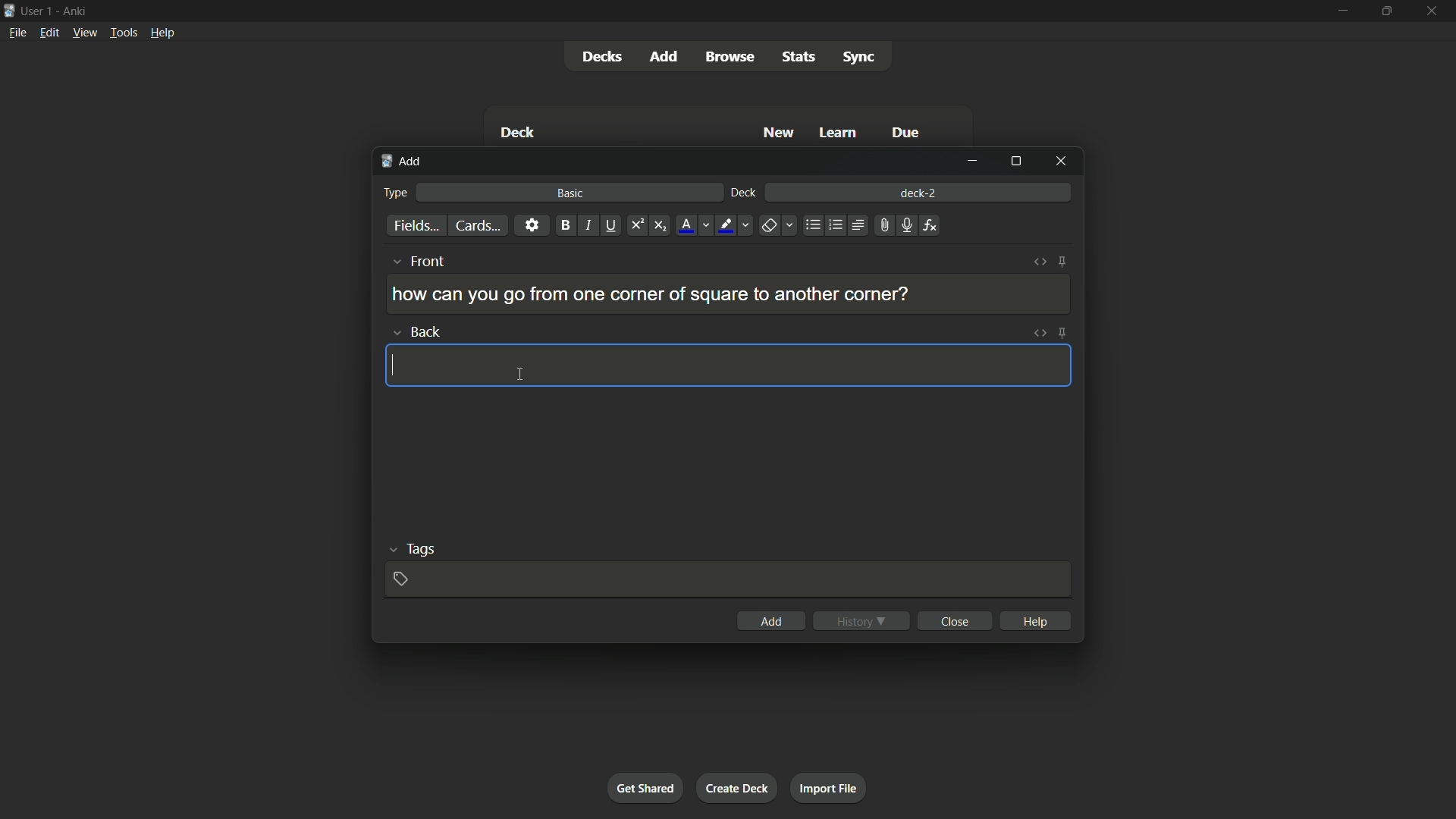 The image size is (1456, 819). What do you see at coordinates (1385, 11) in the screenshot?
I see `maximize` at bounding box center [1385, 11].